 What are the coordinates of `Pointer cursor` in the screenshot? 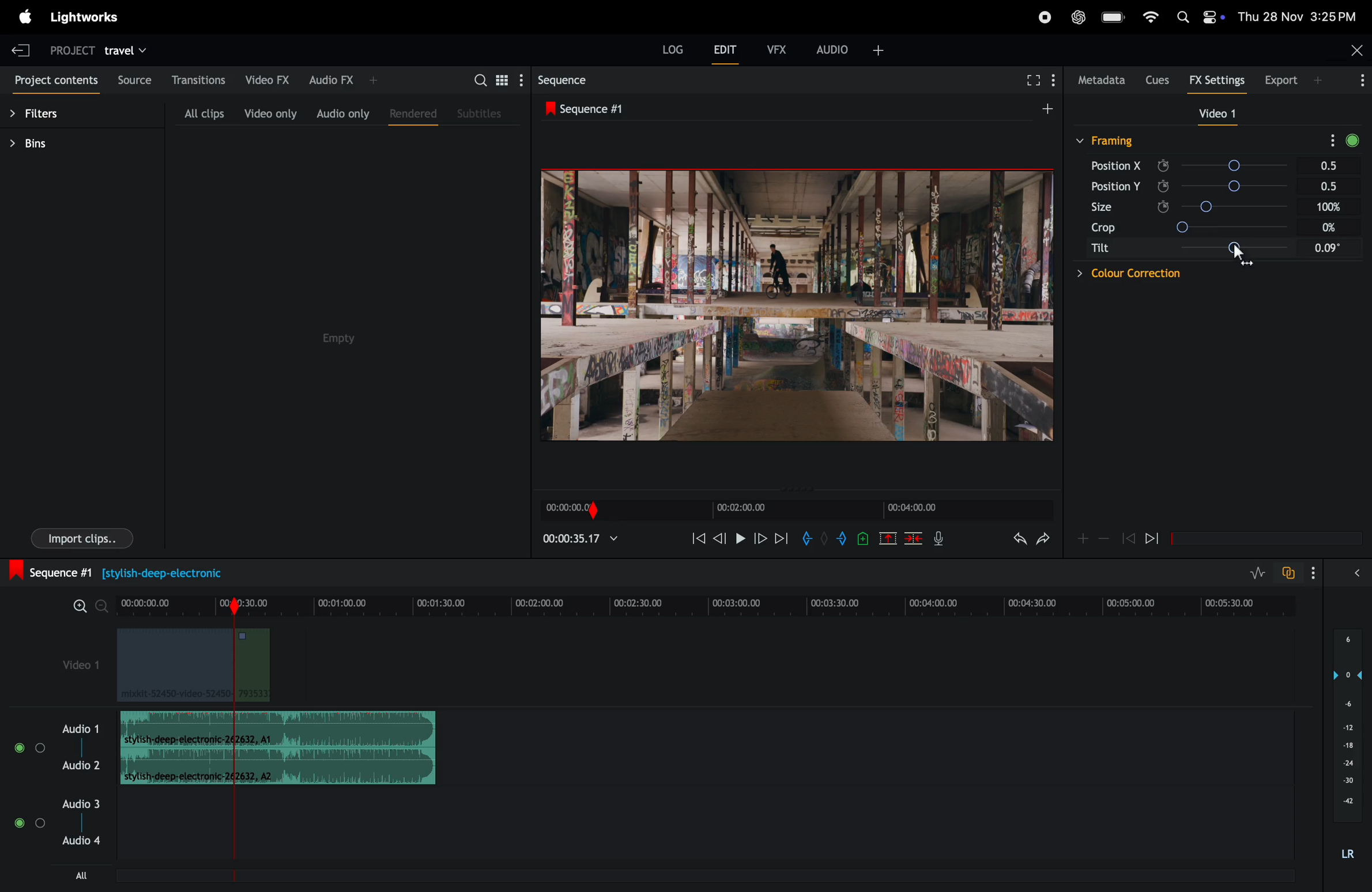 It's located at (1238, 258).